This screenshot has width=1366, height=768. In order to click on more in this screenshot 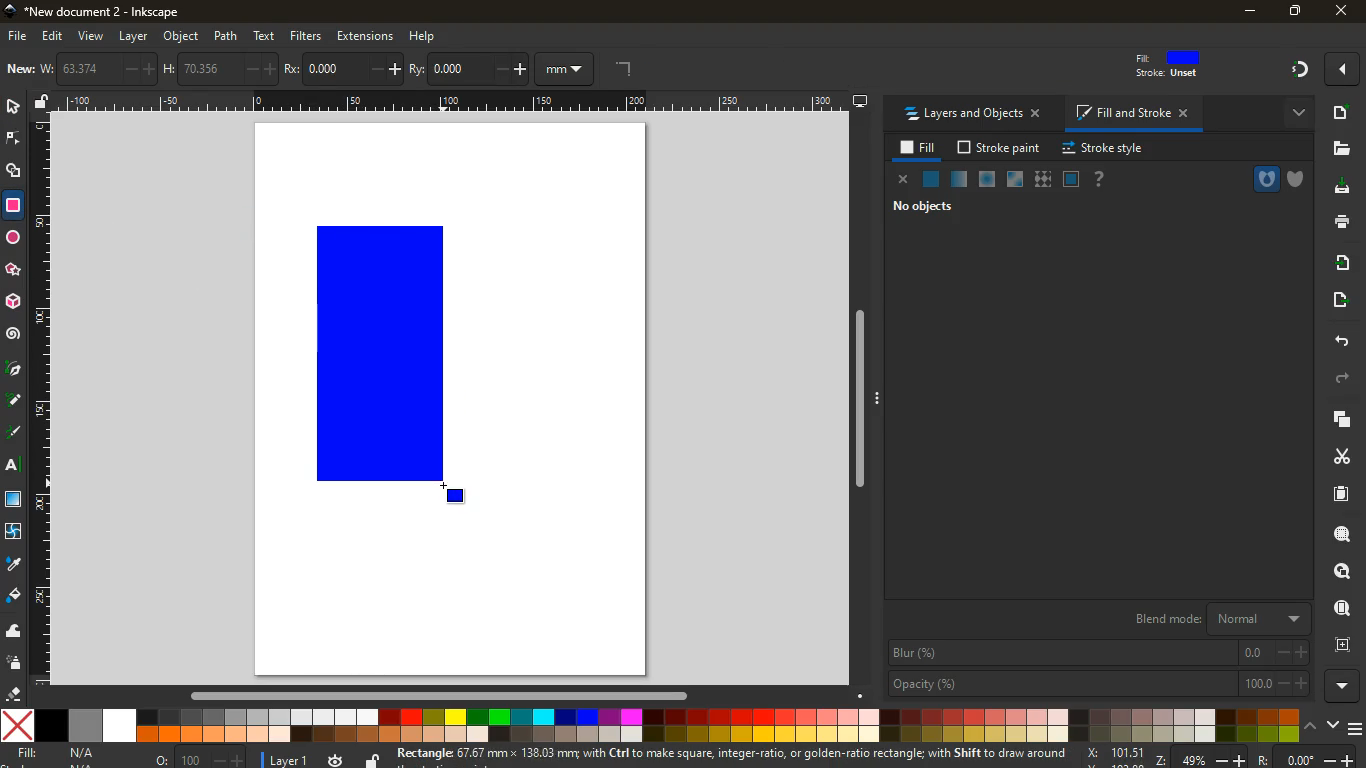, I will do `click(1300, 116)`.